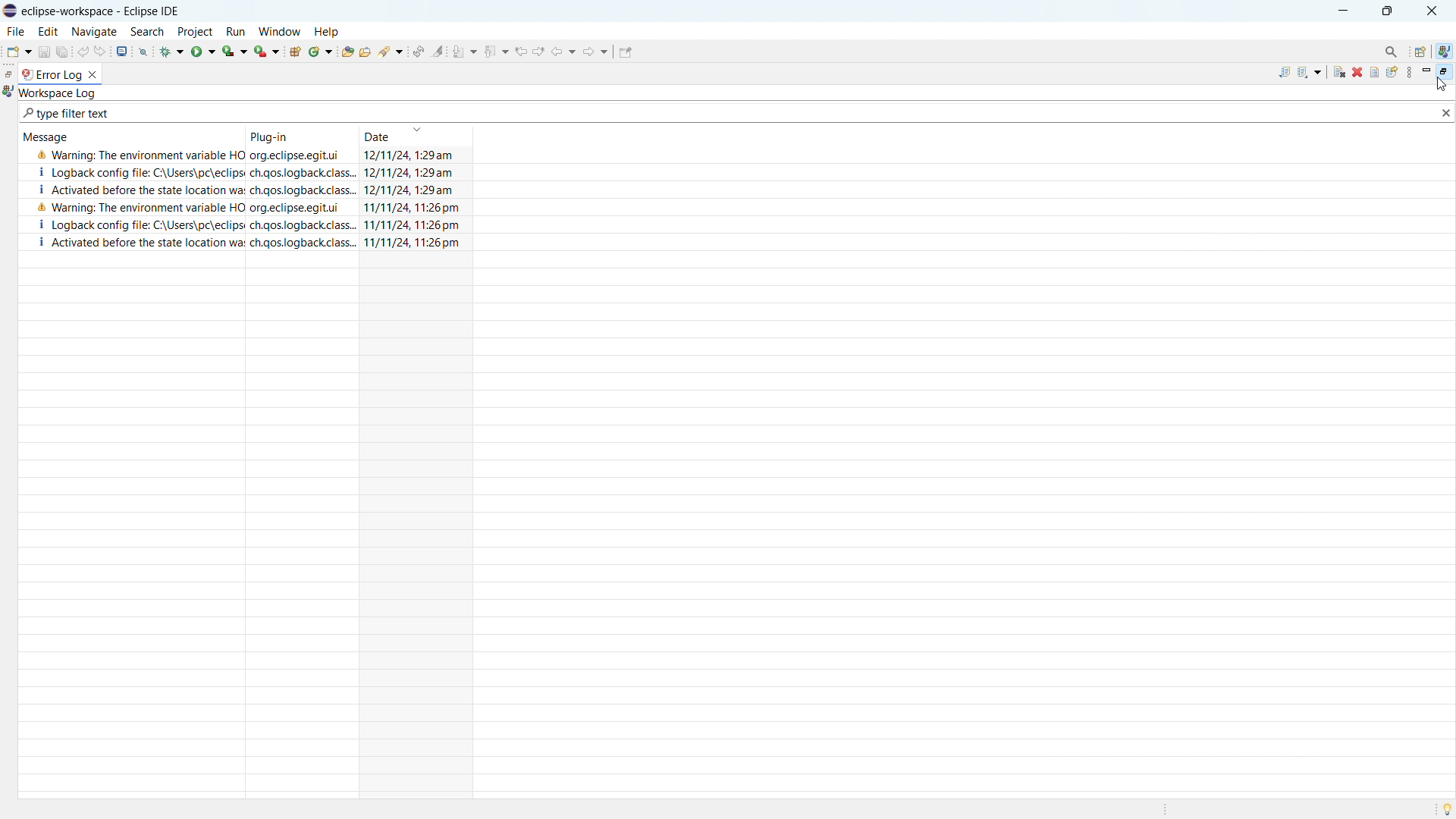  Describe the element at coordinates (521, 51) in the screenshot. I see `previous edit location` at that location.